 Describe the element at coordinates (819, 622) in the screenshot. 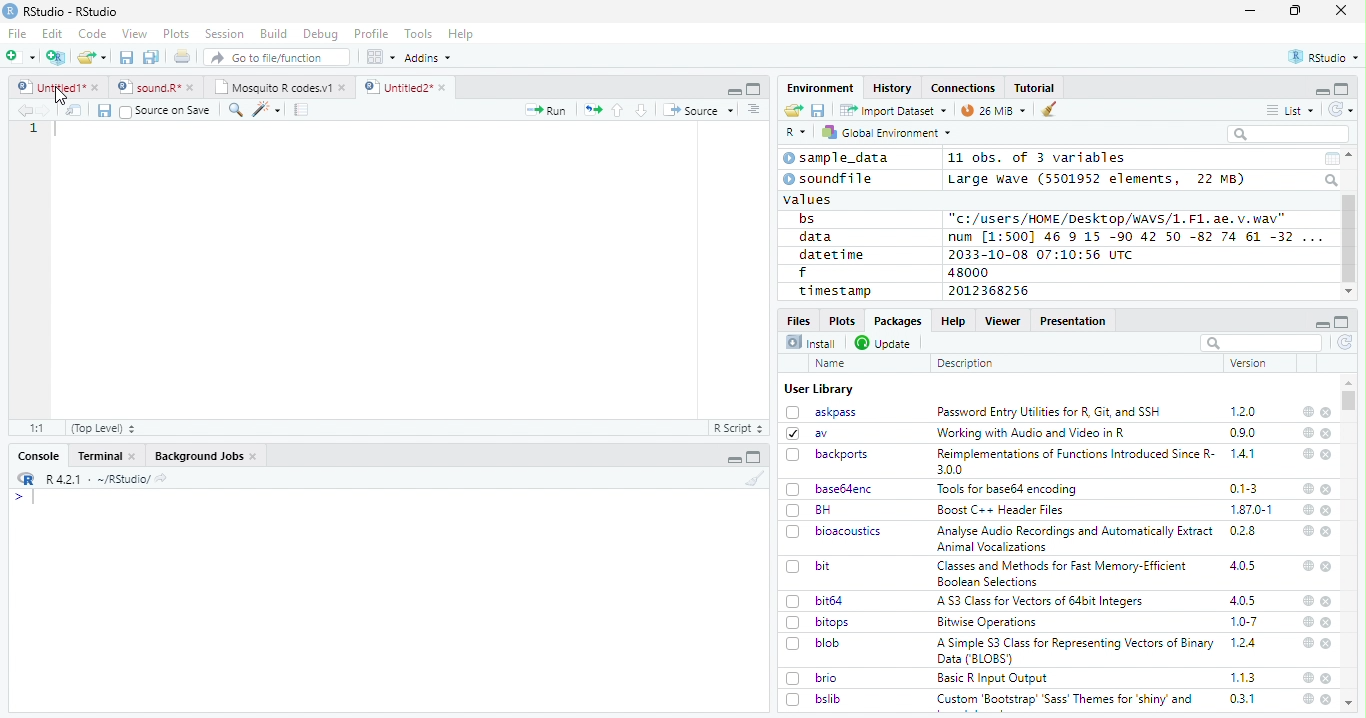

I see `bitops` at that location.